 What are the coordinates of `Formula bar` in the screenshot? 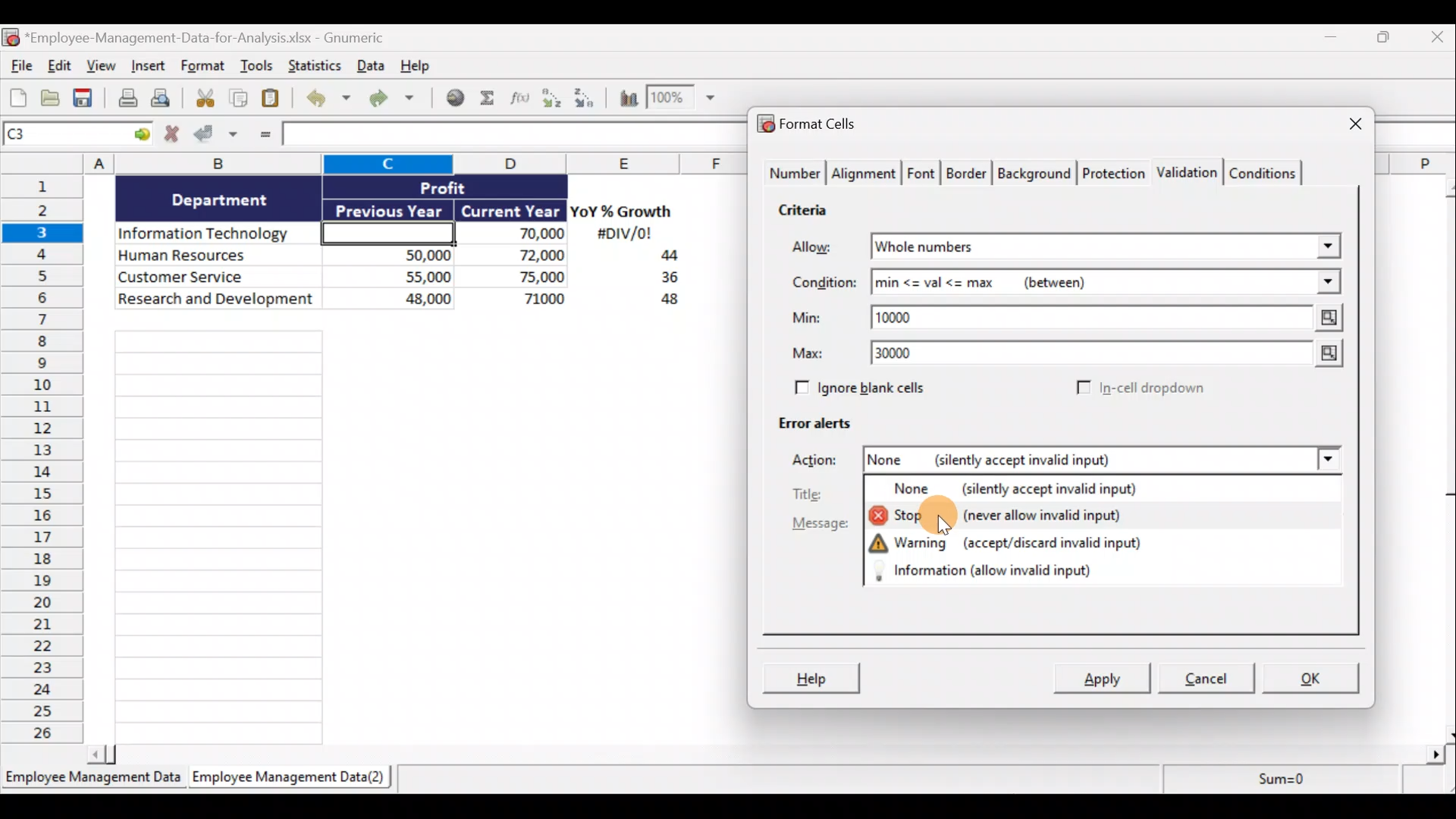 It's located at (510, 136).